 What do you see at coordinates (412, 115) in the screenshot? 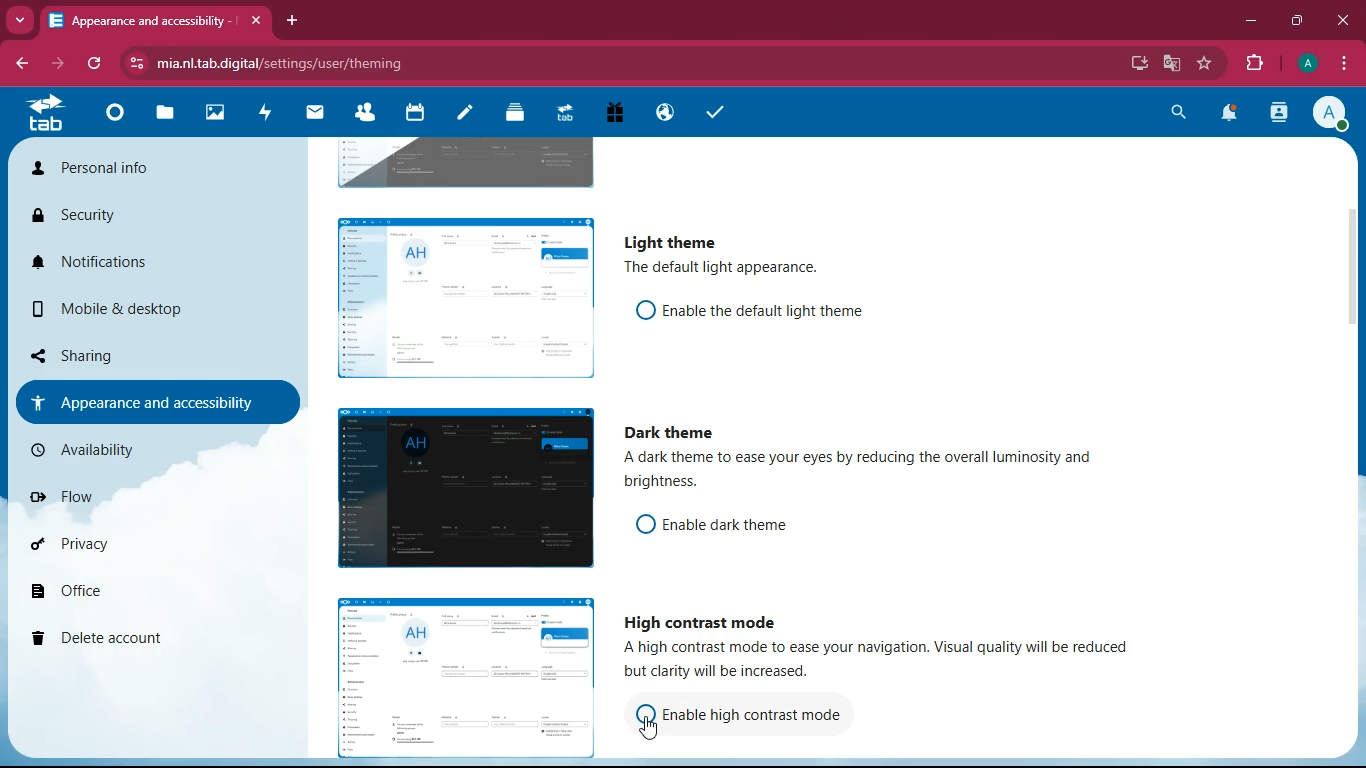
I see `calendar` at bounding box center [412, 115].